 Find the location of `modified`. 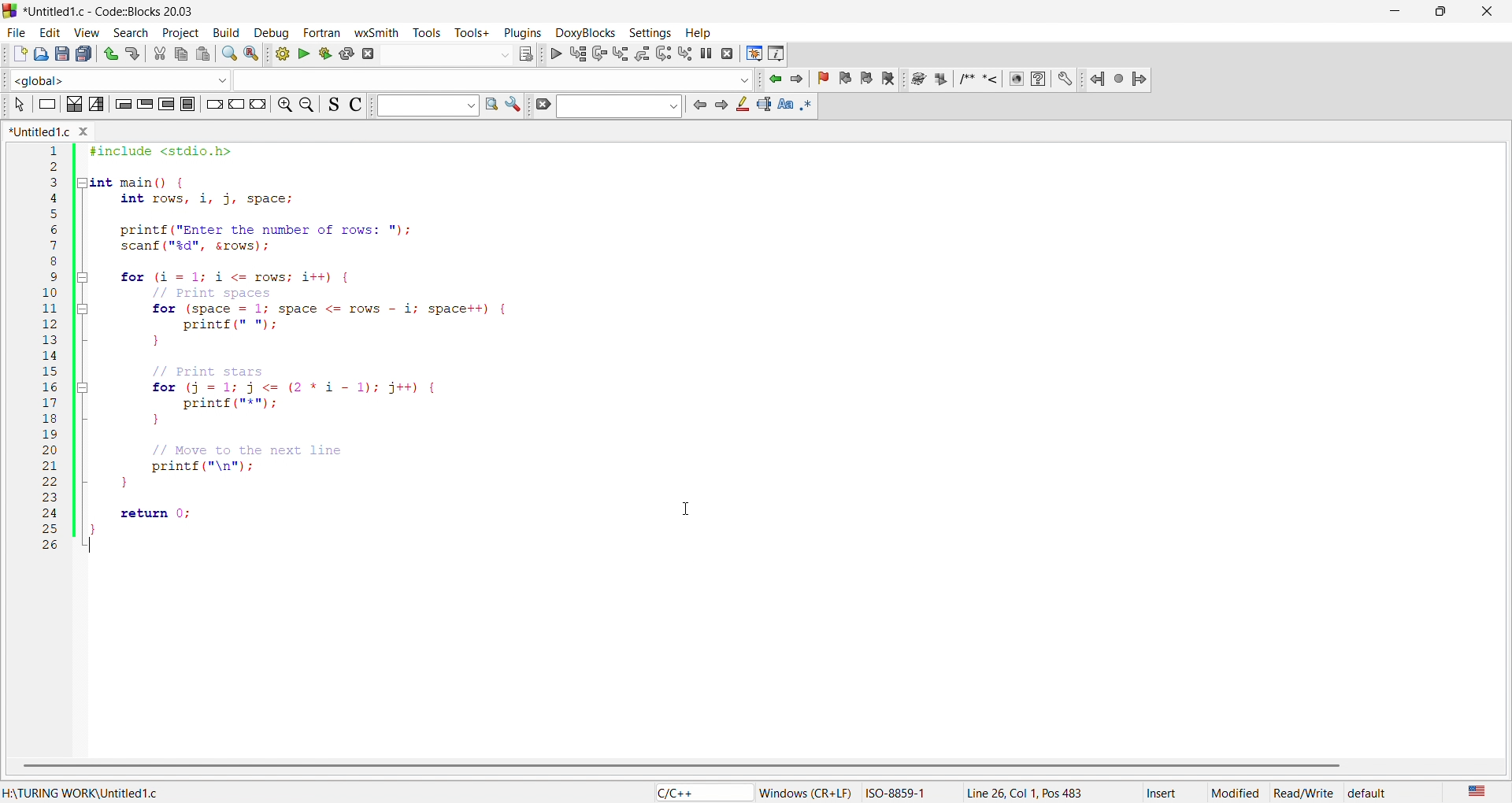

modified is located at coordinates (1236, 791).